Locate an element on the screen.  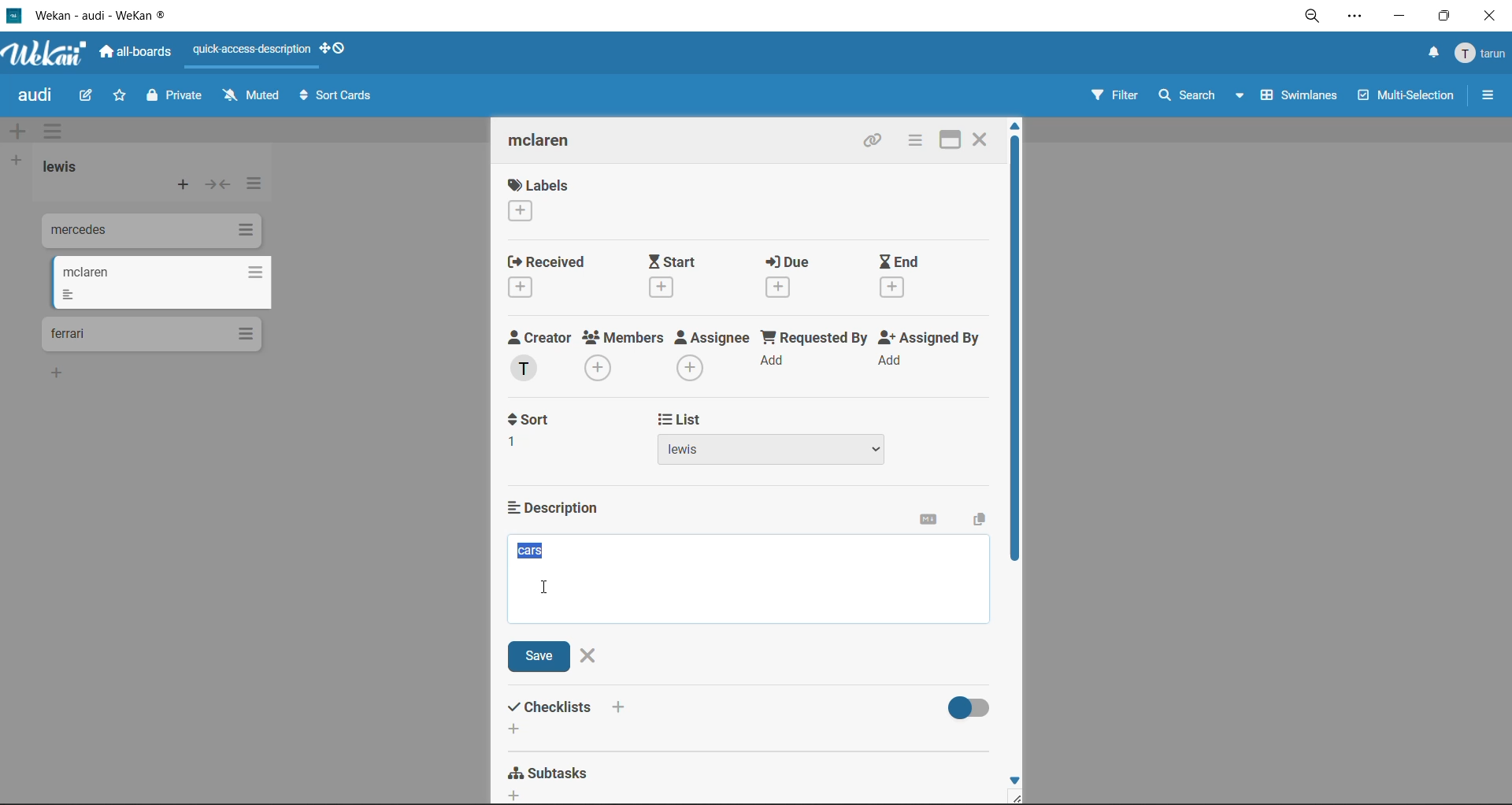
card title is located at coordinates (553, 143).